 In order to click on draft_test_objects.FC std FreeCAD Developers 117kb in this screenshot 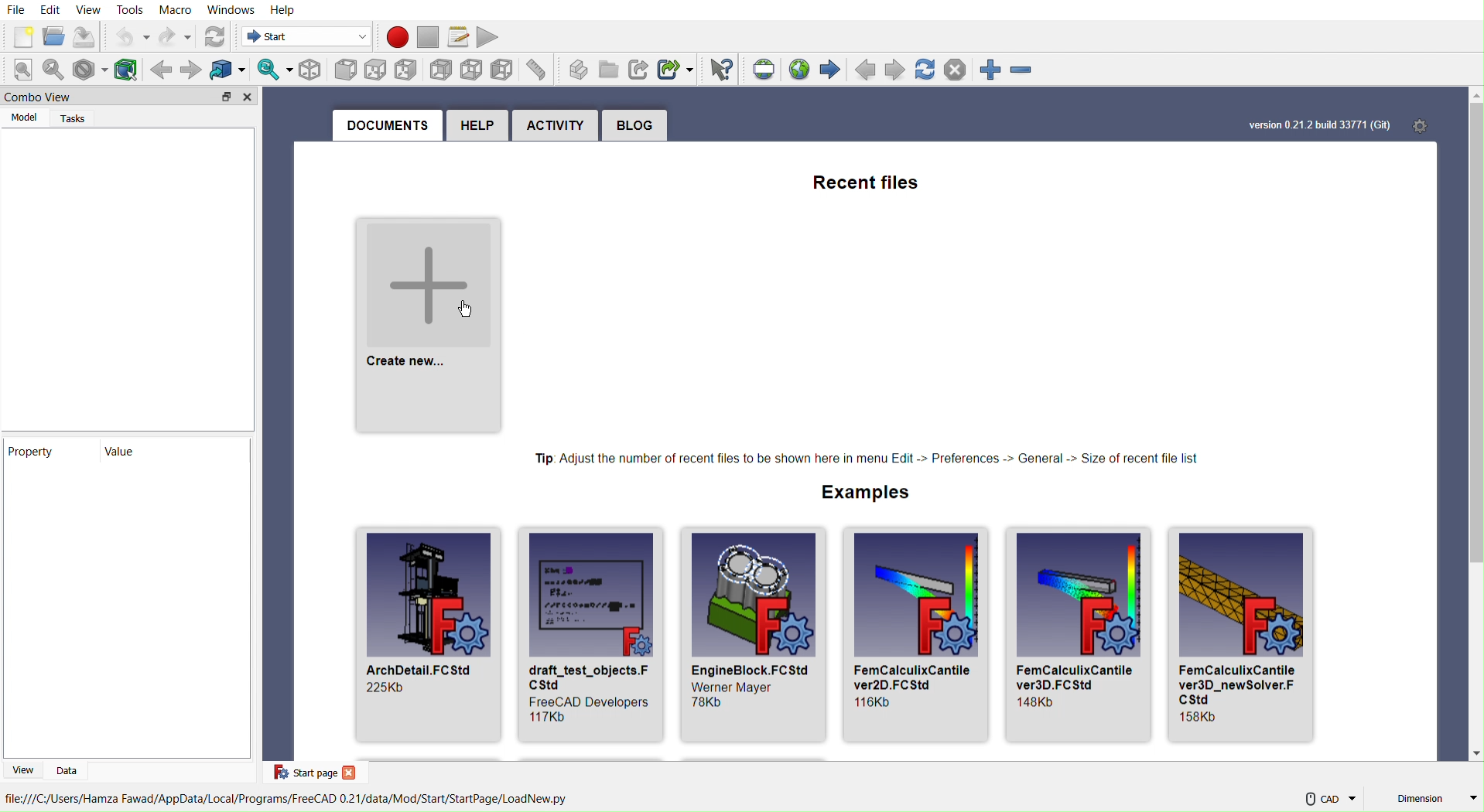, I will do `click(587, 634)`.